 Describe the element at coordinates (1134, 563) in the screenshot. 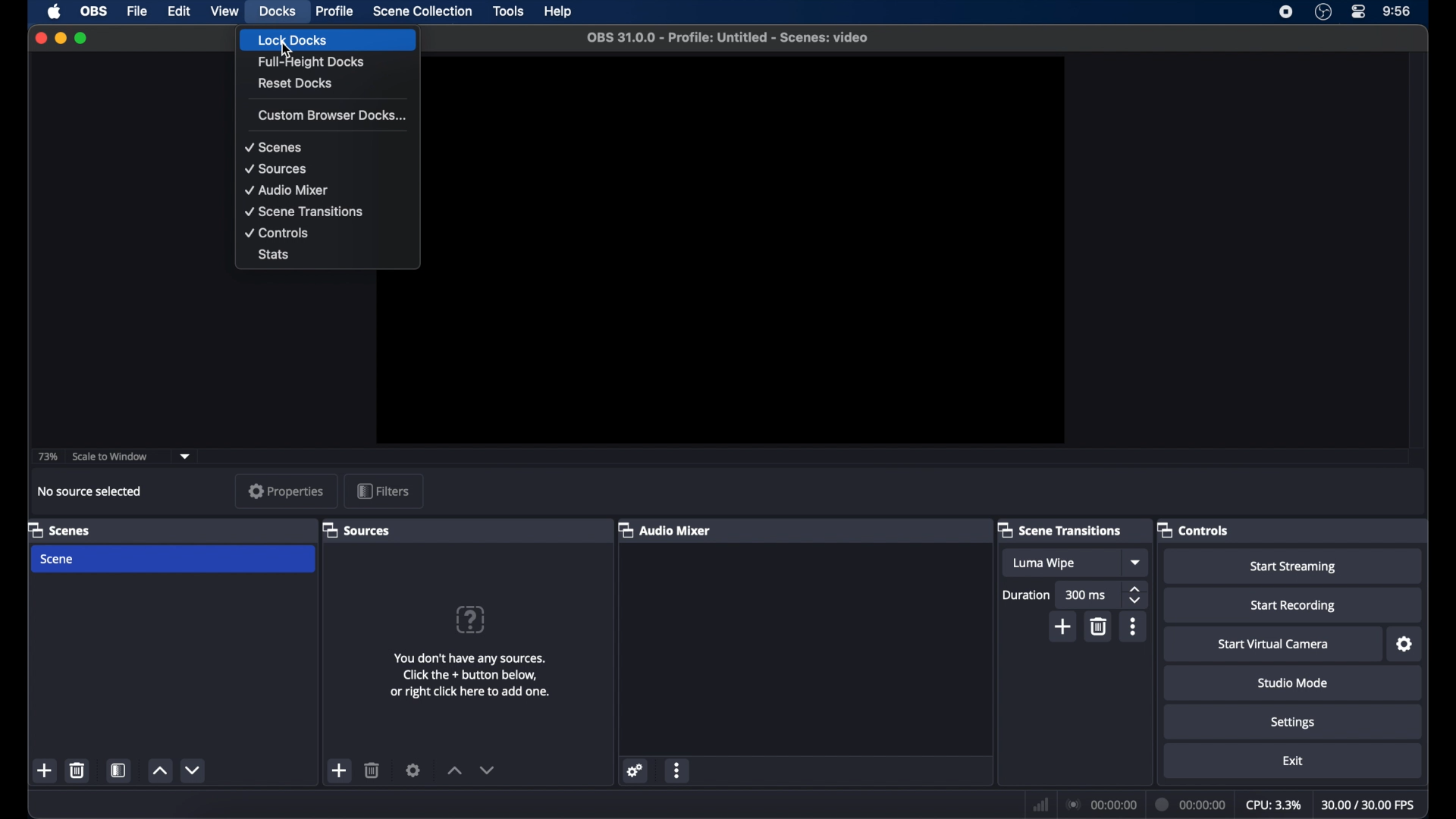

I see `dropdown` at that location.